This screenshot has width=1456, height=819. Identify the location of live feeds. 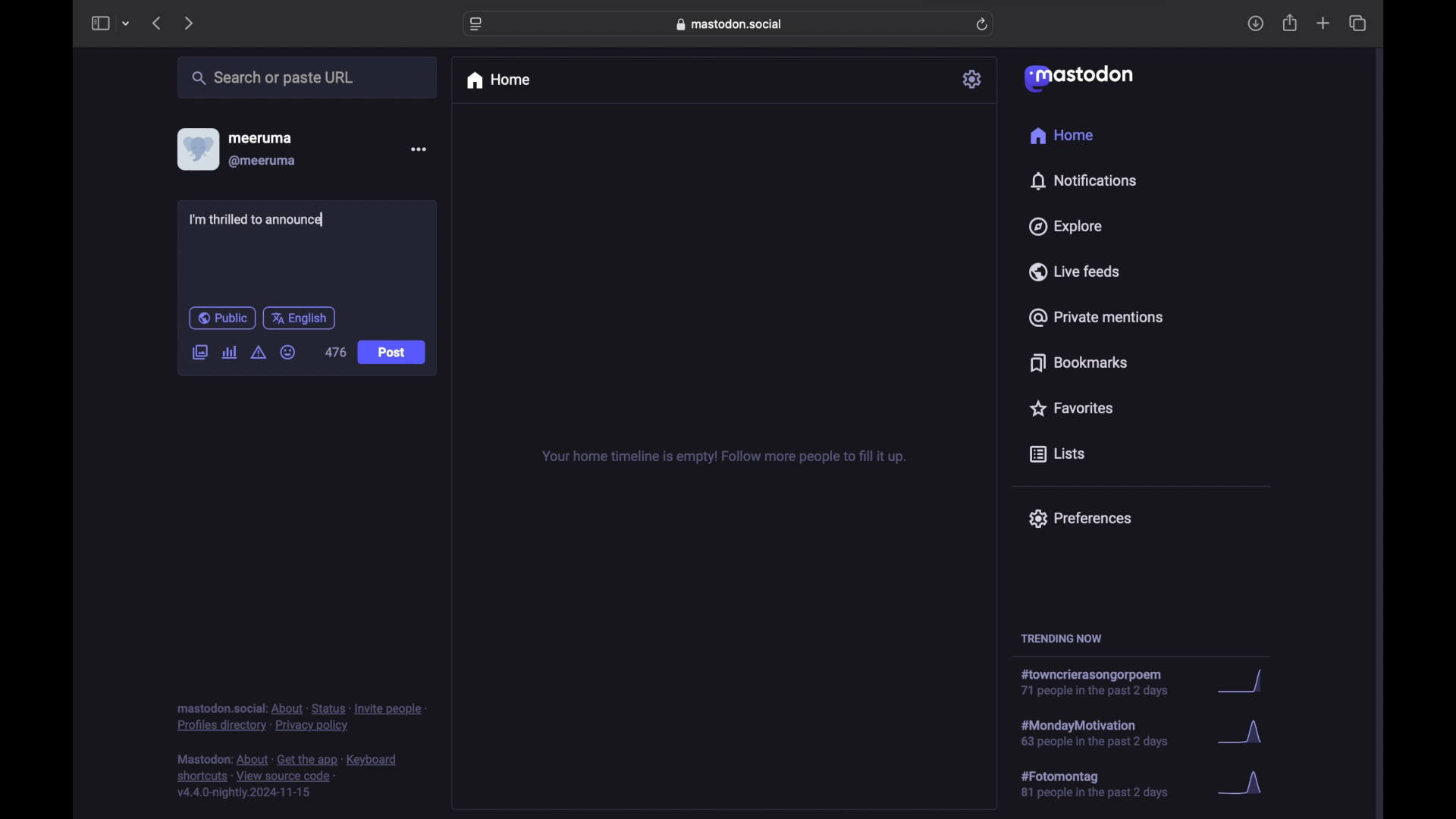
(1073, 271).